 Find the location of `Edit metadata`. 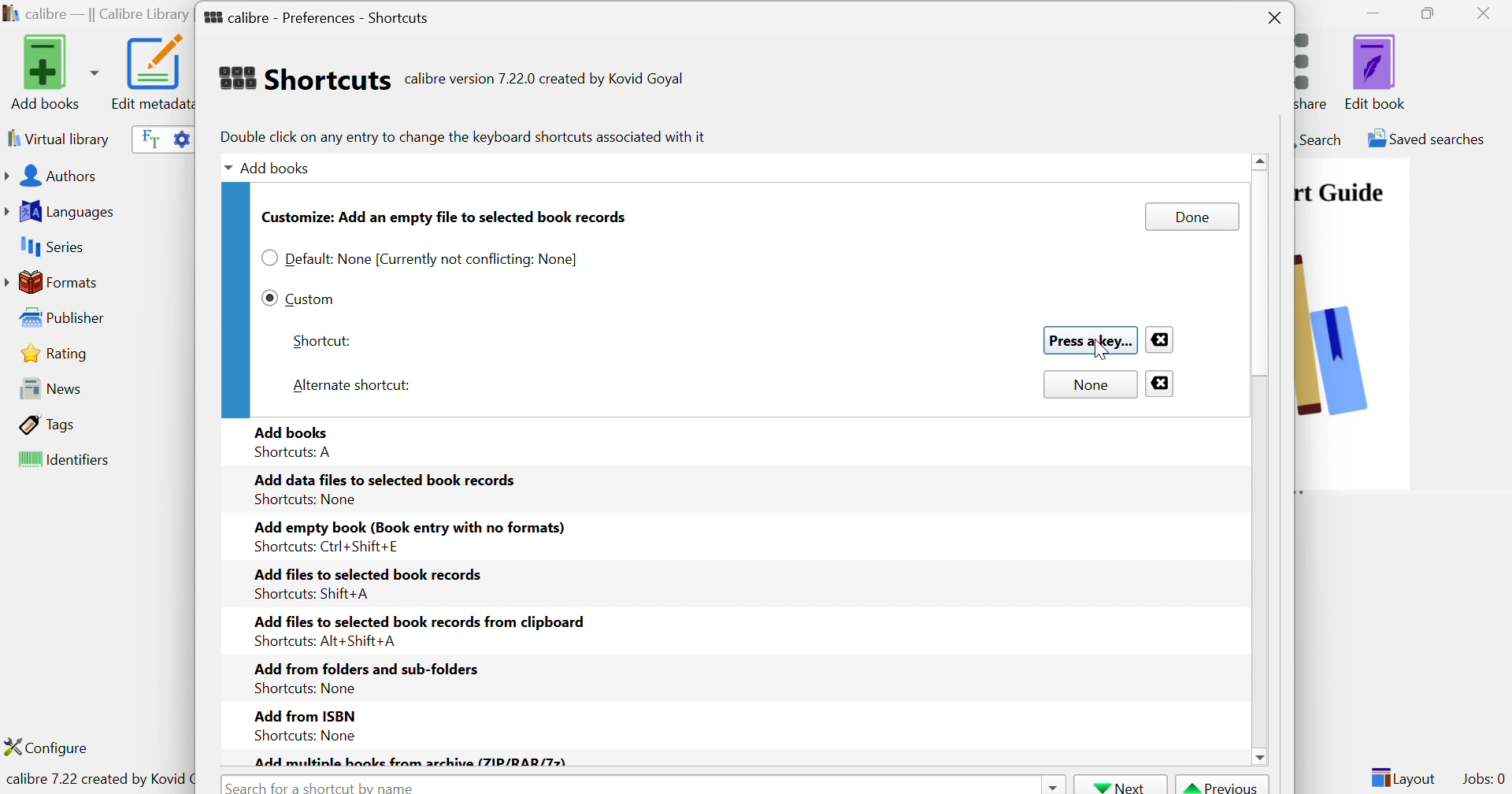

Edit metadata is located at coordinates (150, 72).